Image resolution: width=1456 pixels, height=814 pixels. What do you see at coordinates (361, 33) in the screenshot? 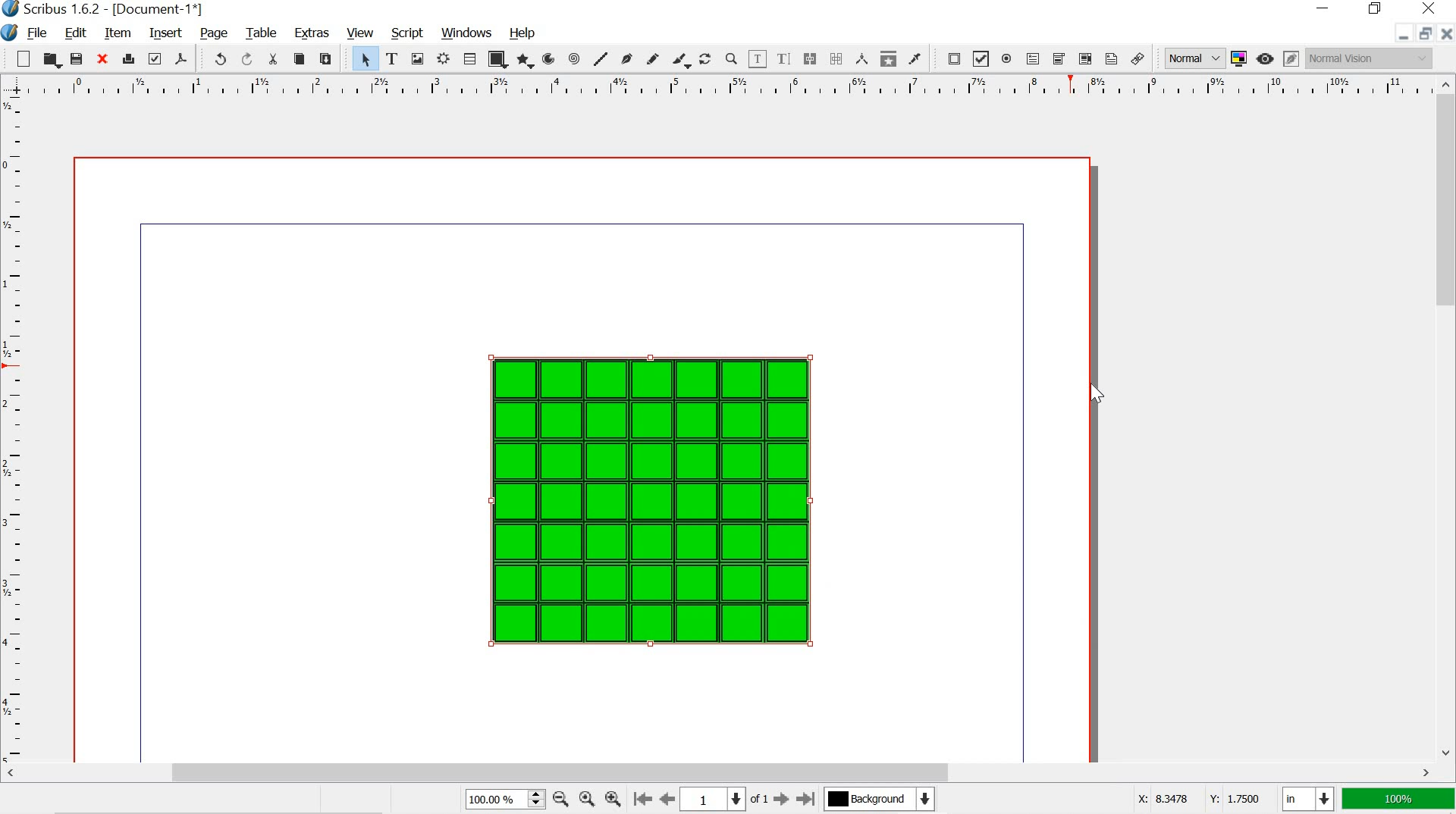
I see `view` at bounding box center [361, 33].